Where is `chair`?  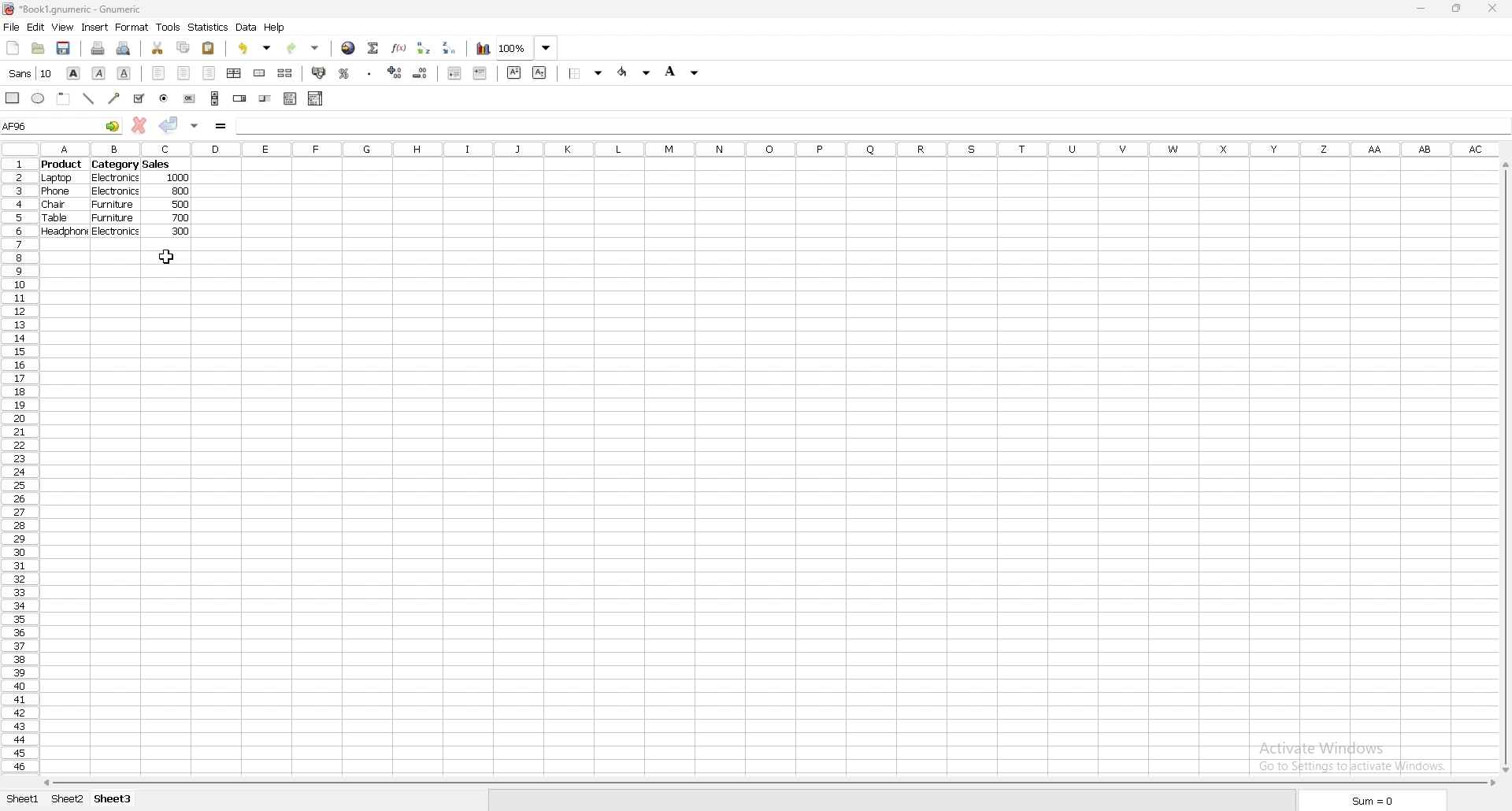 chair is located at coordinates (54, 204).